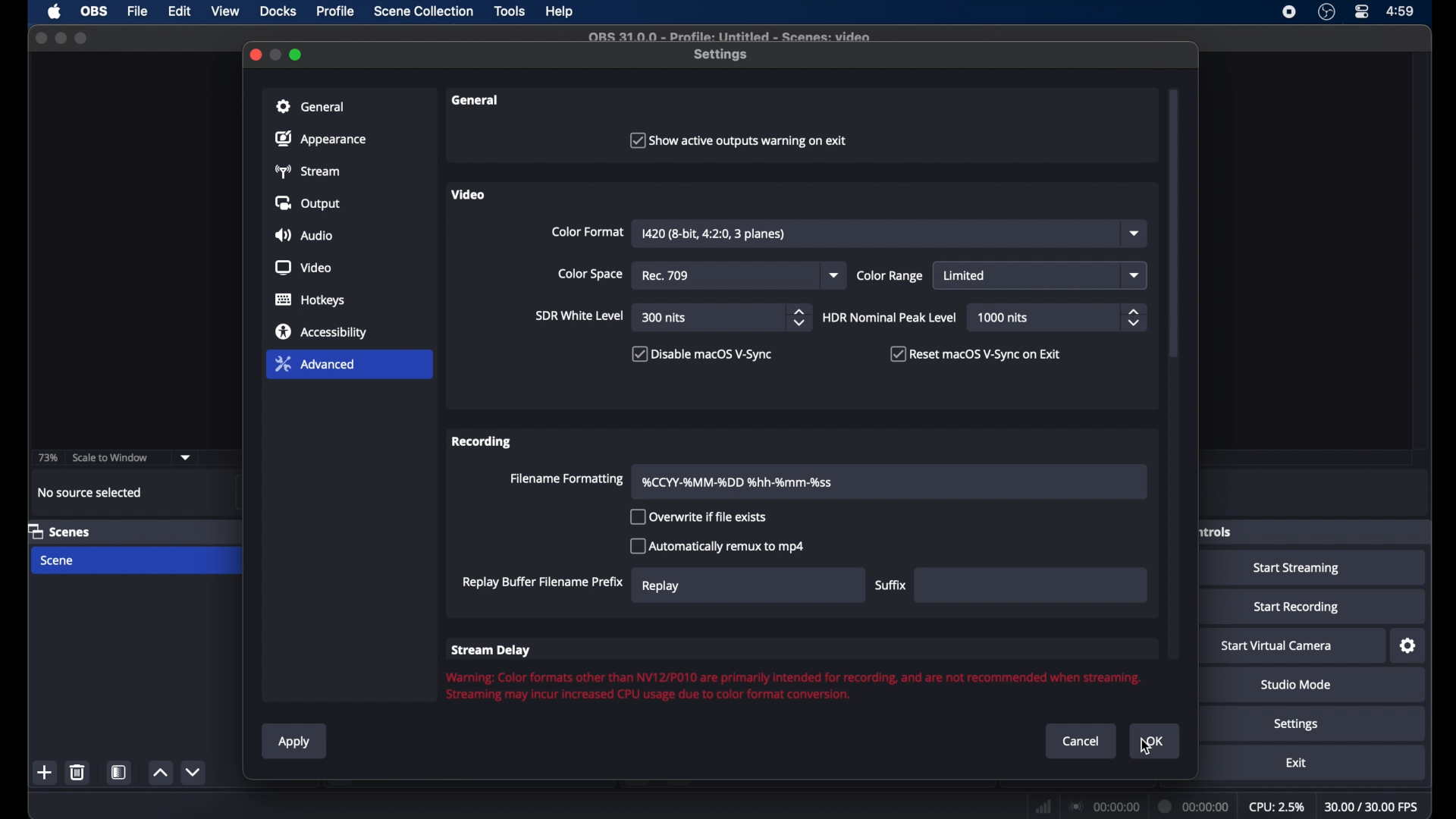  Describe the element at coordinates (834, 275) in the screenshot. I see `dropdown` at that location.